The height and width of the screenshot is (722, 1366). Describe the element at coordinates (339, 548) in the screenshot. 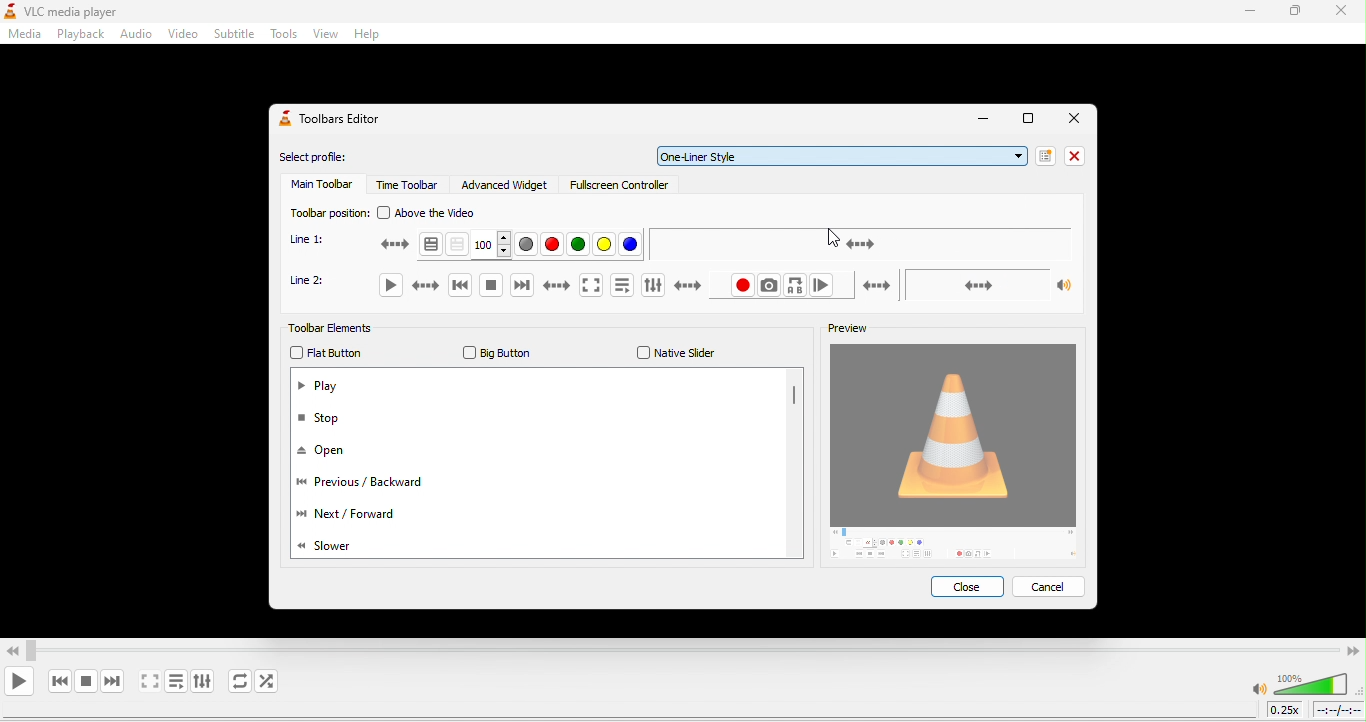

I see `s` at that location.